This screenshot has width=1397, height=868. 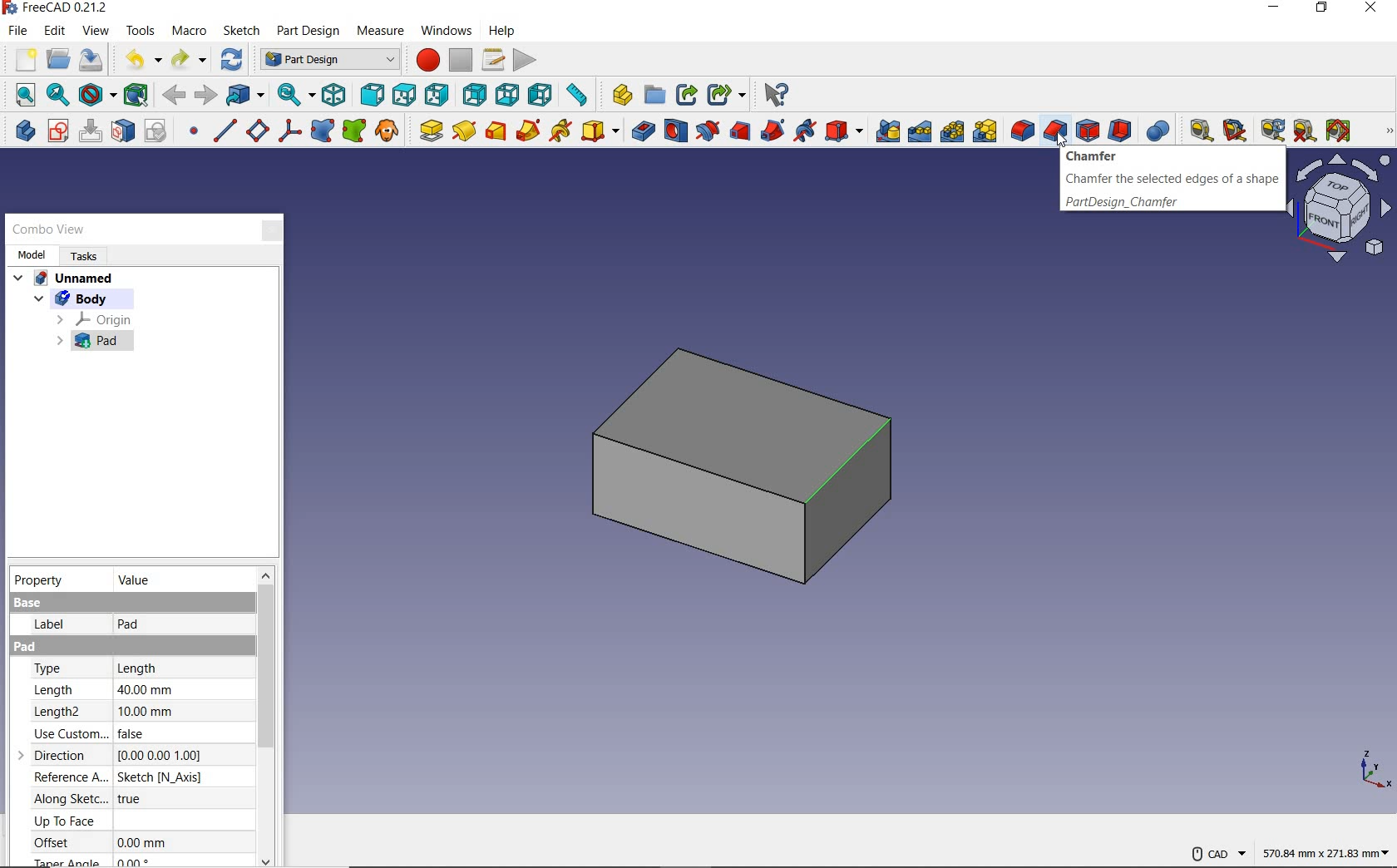 What do you see at coordinates (206, 96) in the screenshot?
I see `forward` at bounding box center [206, 96].